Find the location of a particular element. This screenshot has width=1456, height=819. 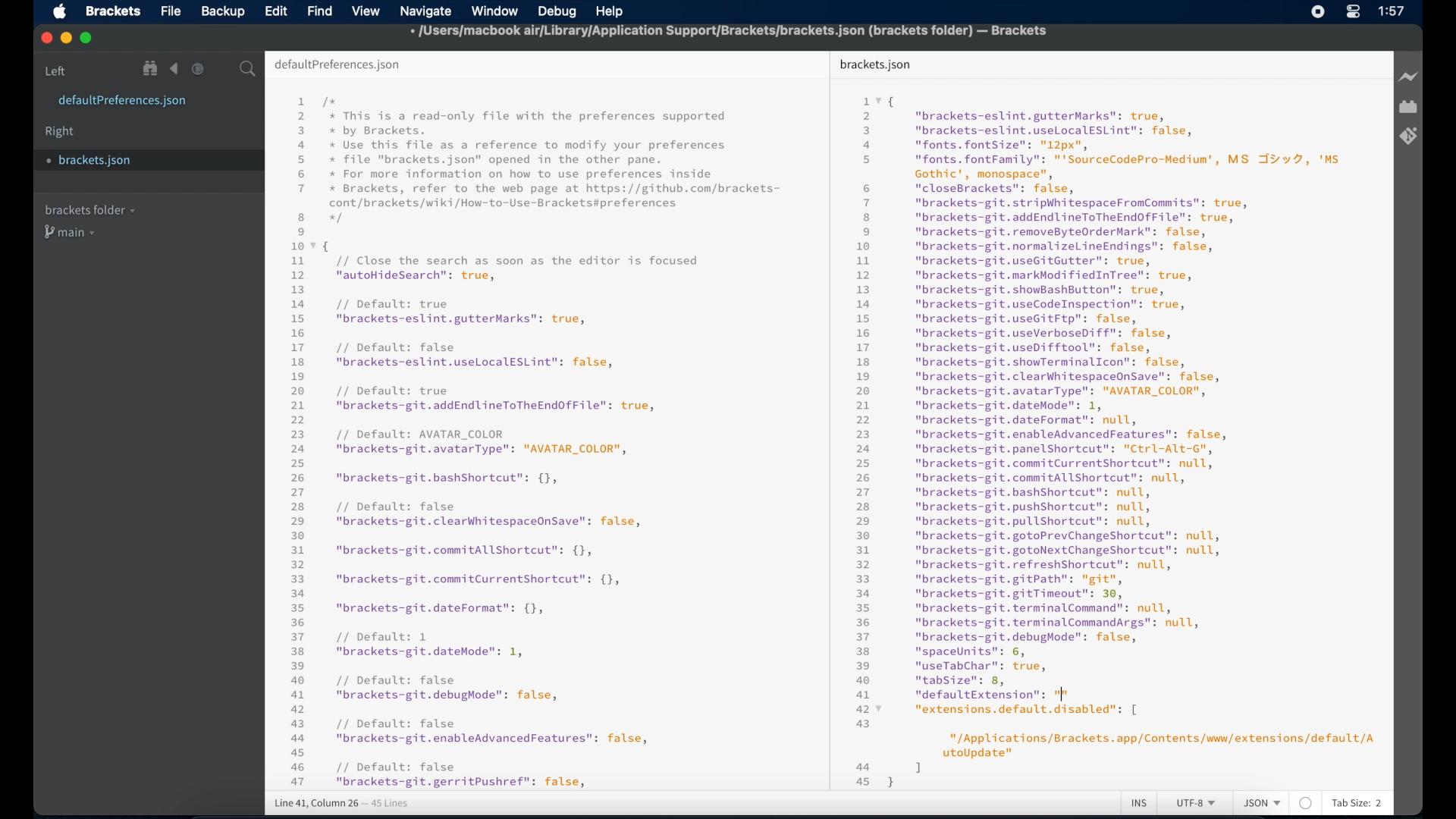

right is located at coordinates (61, 132).